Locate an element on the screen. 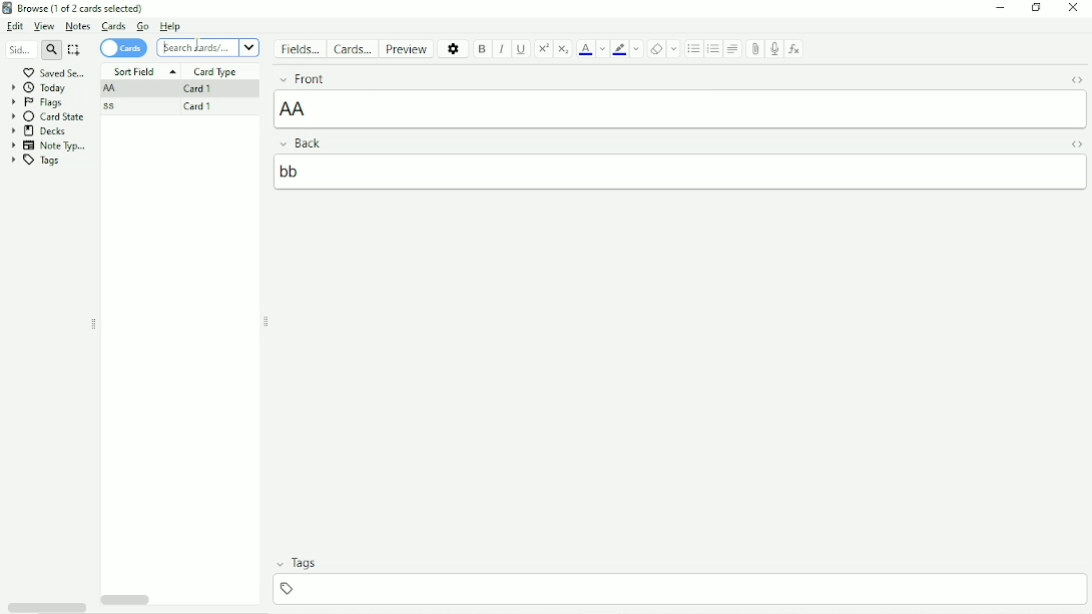 The width and height of the screenshot is (1092, 614). Superscript is located at coordinates (544, 48).